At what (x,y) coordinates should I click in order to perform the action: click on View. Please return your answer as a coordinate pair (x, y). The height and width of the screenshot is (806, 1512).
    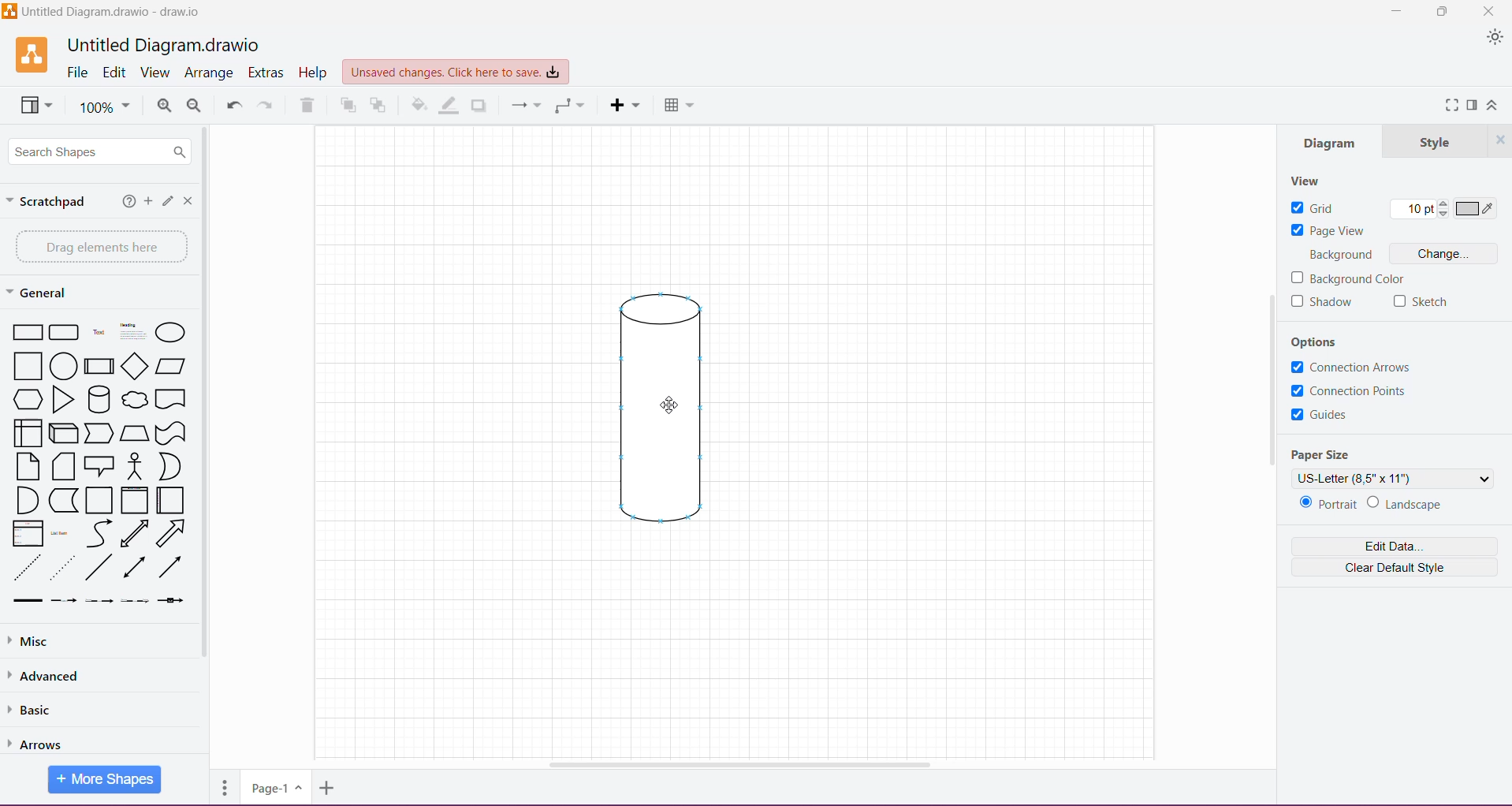
    Looking at the image, I should click on (34, 107).